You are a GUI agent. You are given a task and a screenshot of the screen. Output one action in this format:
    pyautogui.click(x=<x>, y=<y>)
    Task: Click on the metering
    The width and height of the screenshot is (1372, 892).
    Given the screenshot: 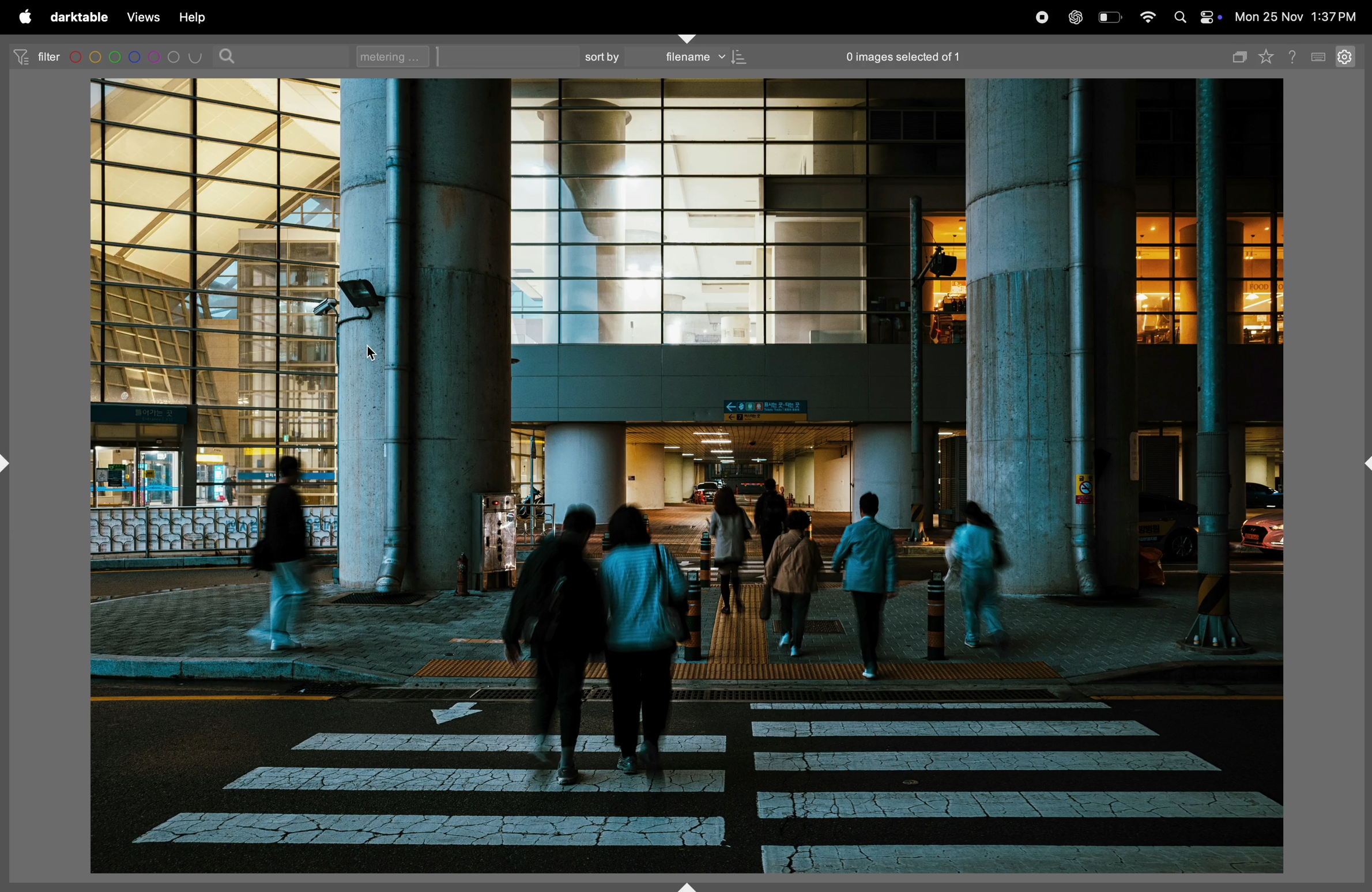 What is the action you would take?
    pyautogui.click(x=389, y=56)
    